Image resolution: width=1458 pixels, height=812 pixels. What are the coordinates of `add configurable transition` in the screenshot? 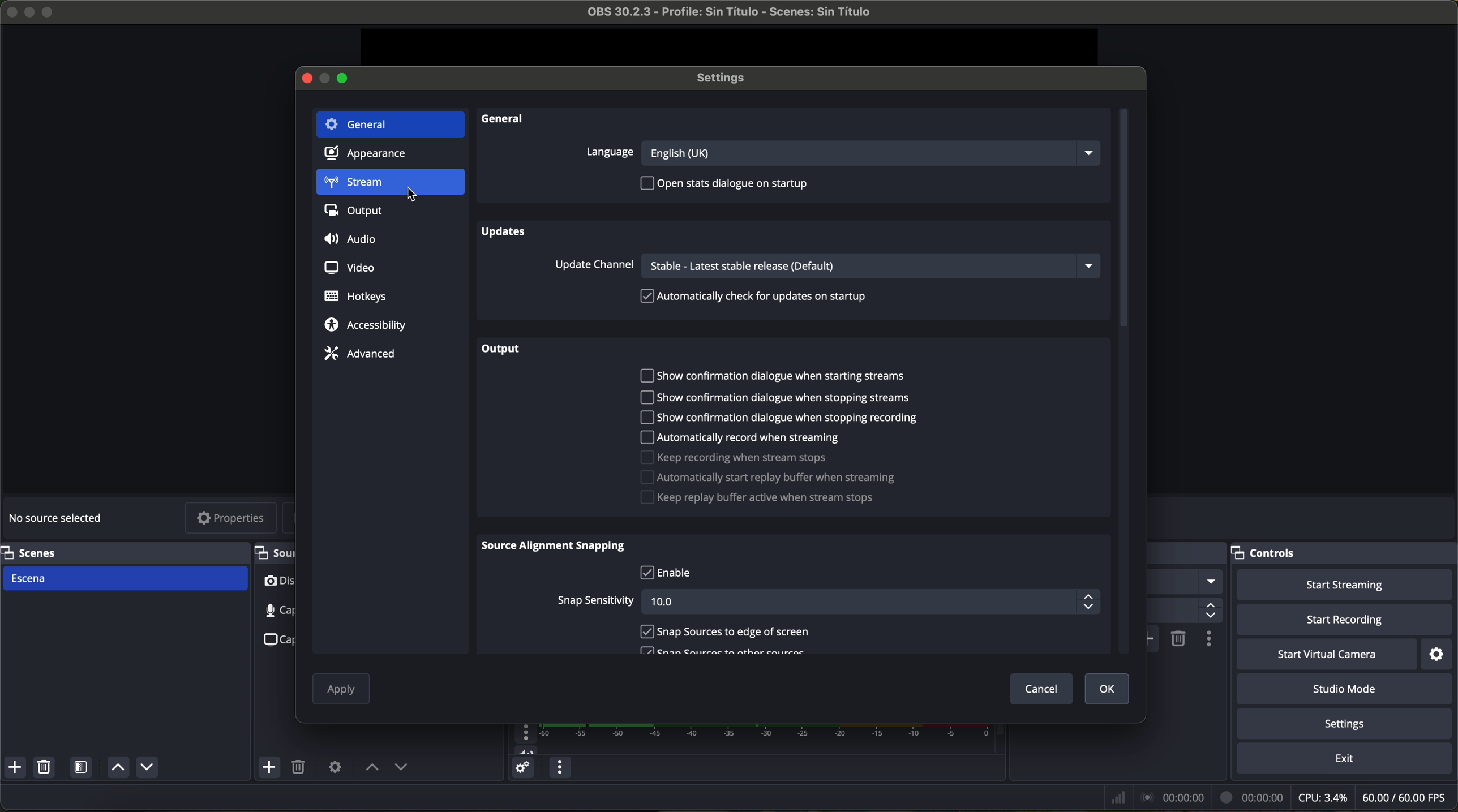 It's located at (1153, 639).